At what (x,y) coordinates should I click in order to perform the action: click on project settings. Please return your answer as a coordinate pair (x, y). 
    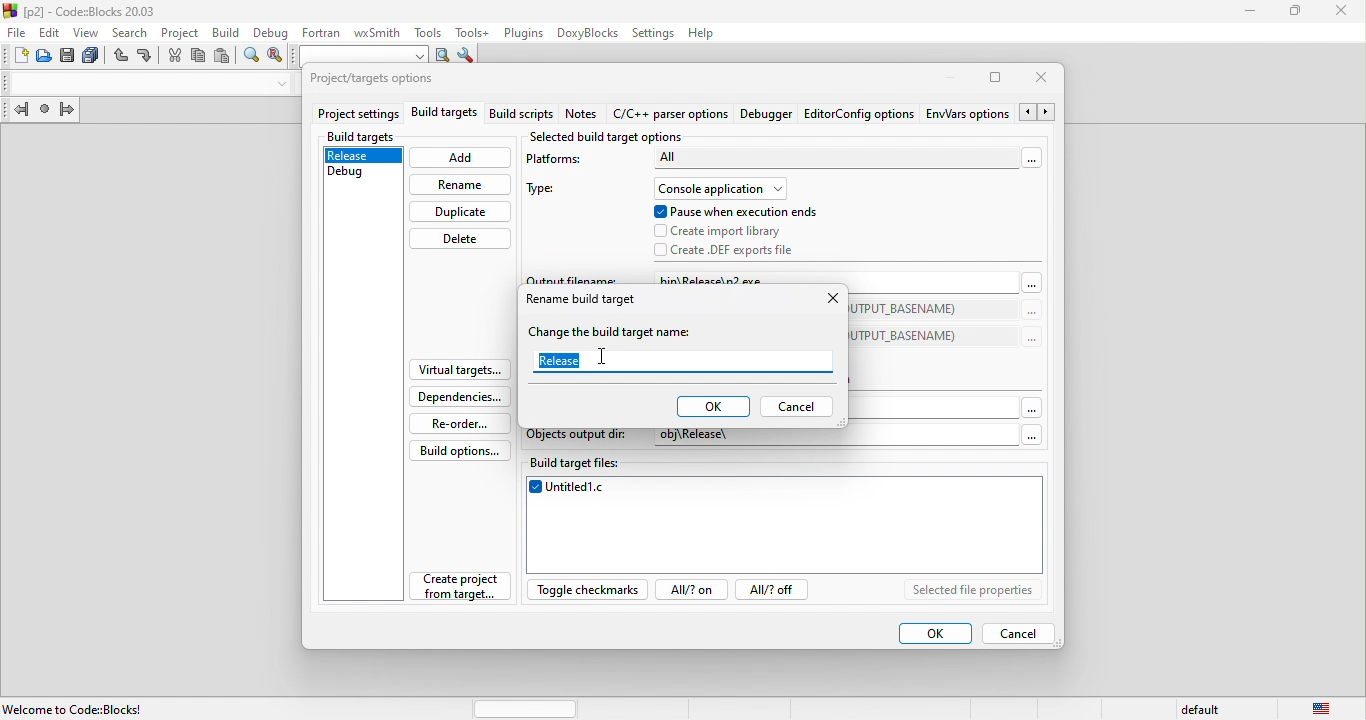
    Looking at the image, I should click on (358, 113).